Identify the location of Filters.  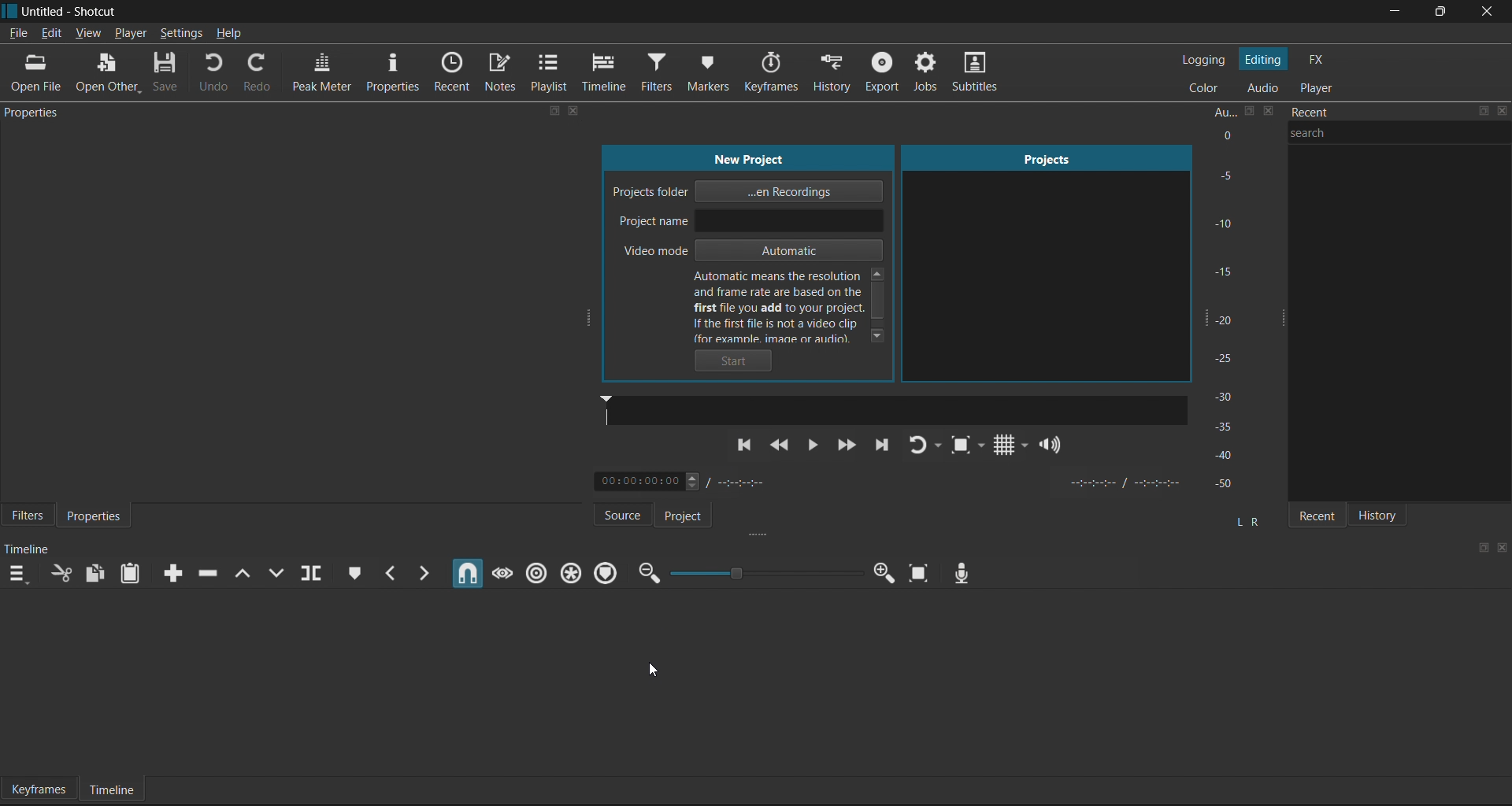
(25, 517).